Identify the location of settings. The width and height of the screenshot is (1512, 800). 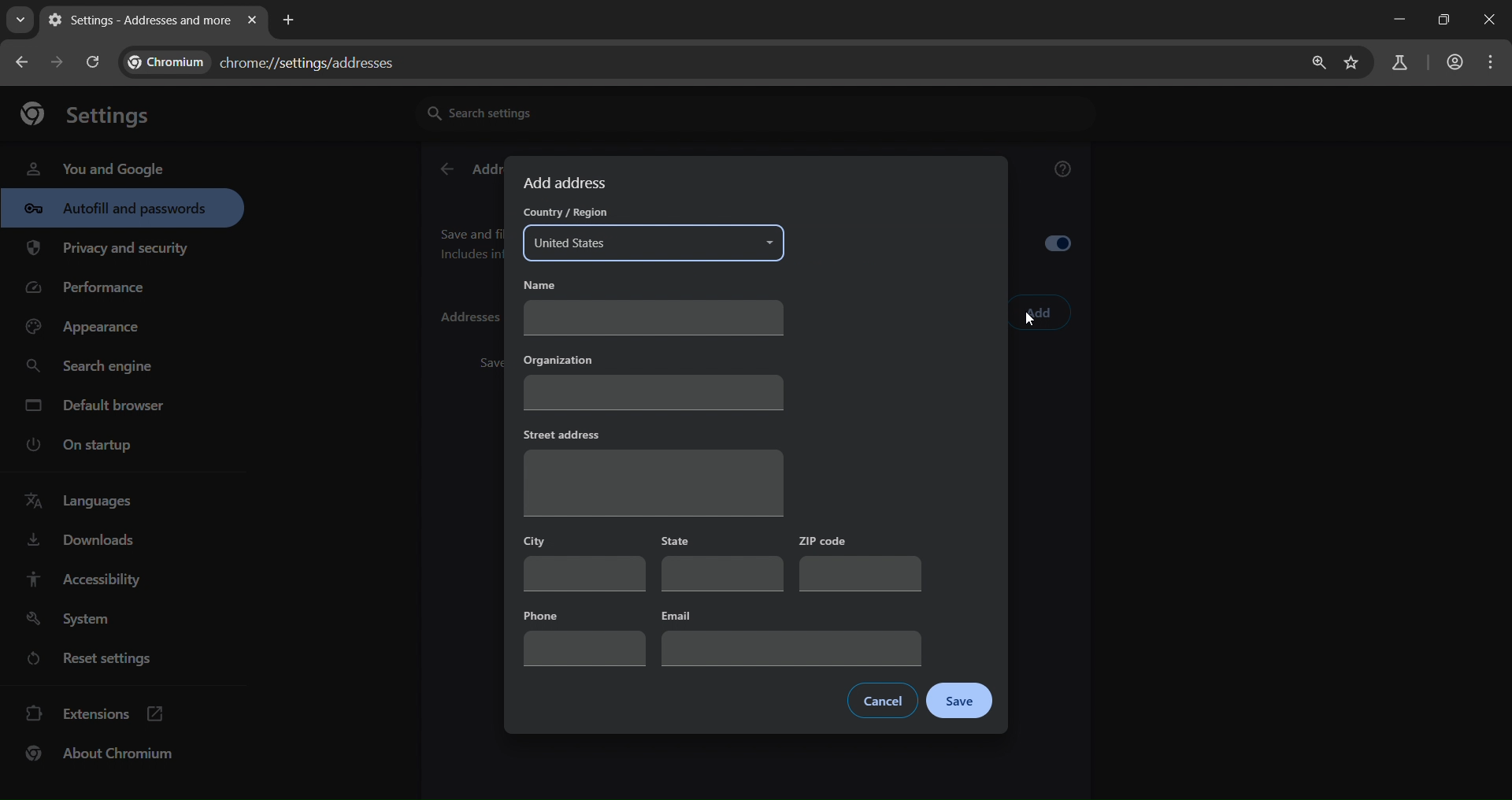
(94, 113).